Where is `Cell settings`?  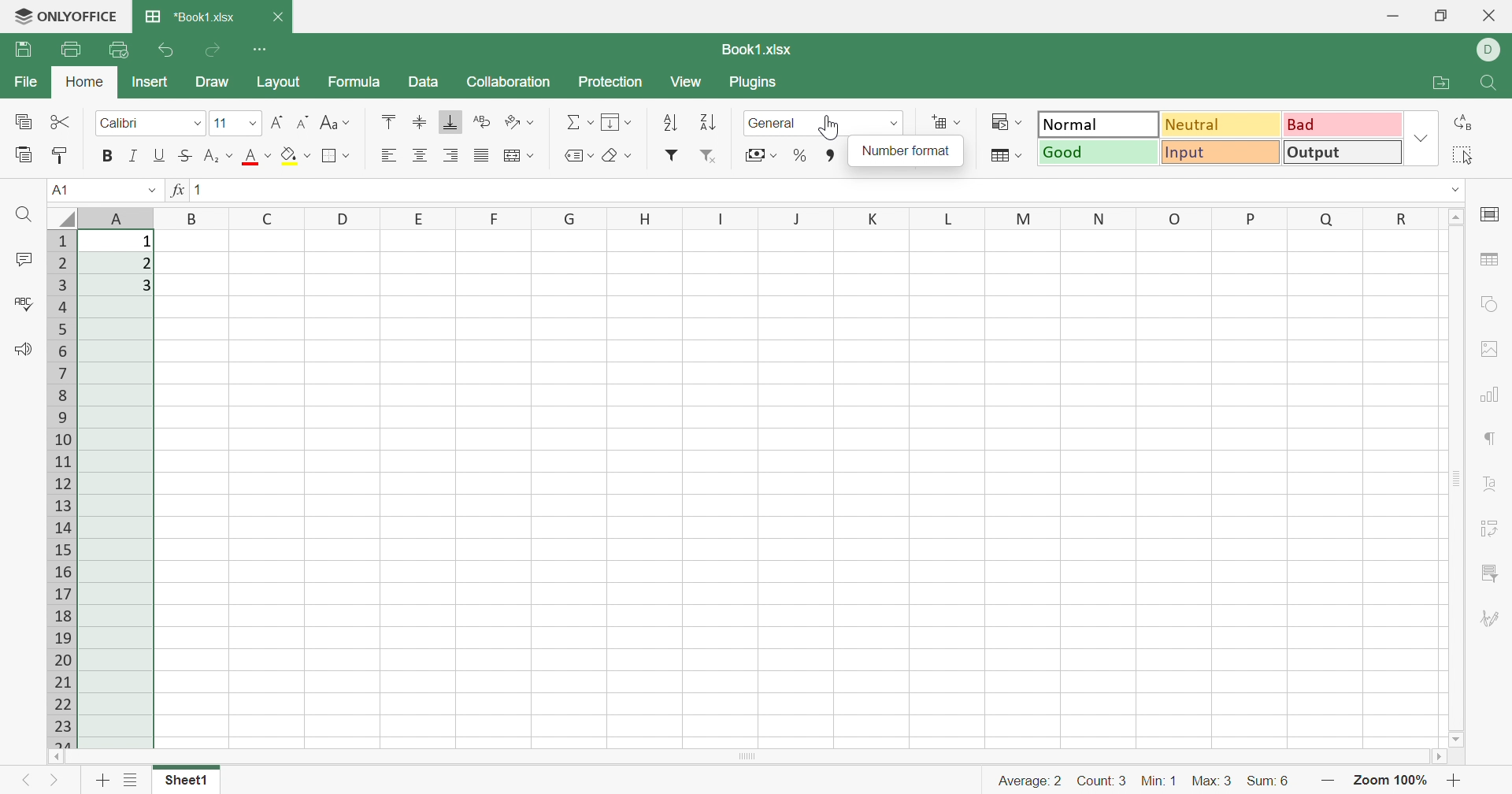 Cell settings is located at coordinates (1495, 213).